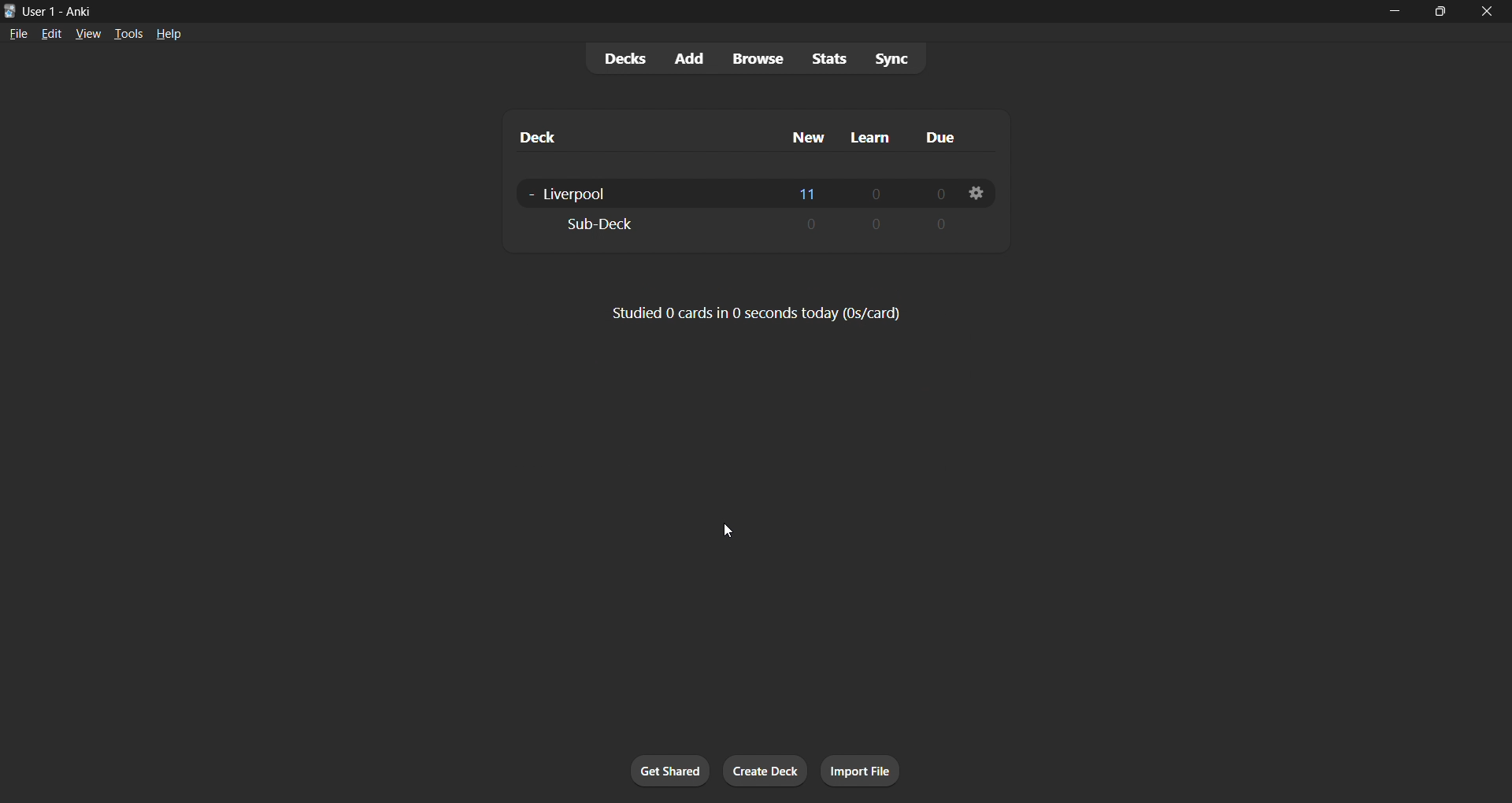 This screenshot has width=1512, height=803. Describe the element at coordinates (891, 56) in the screenshot. I see `` at that location.